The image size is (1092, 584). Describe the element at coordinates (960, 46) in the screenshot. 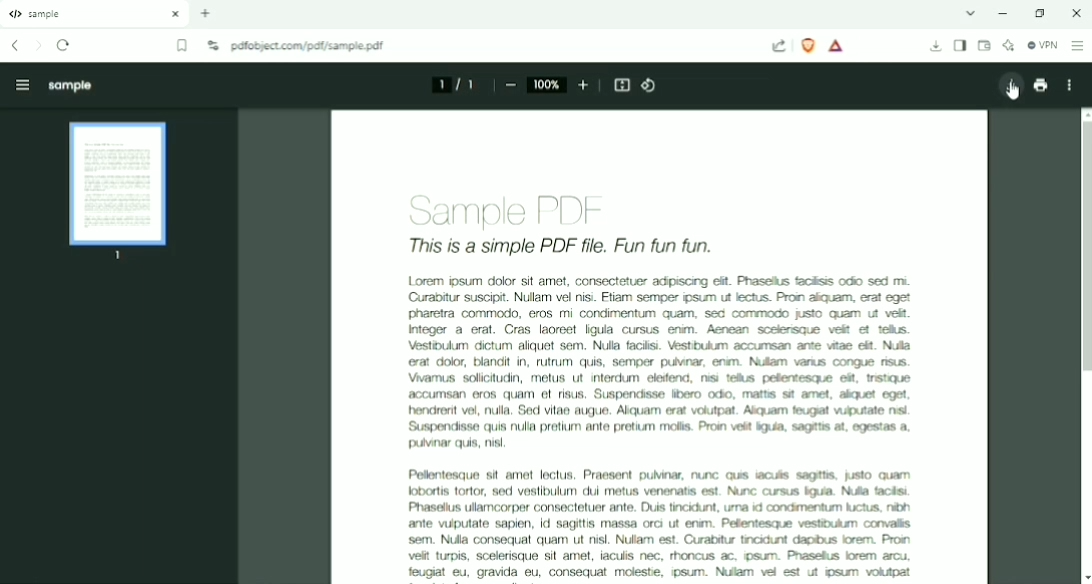

I see `Show sidebar` at that location.